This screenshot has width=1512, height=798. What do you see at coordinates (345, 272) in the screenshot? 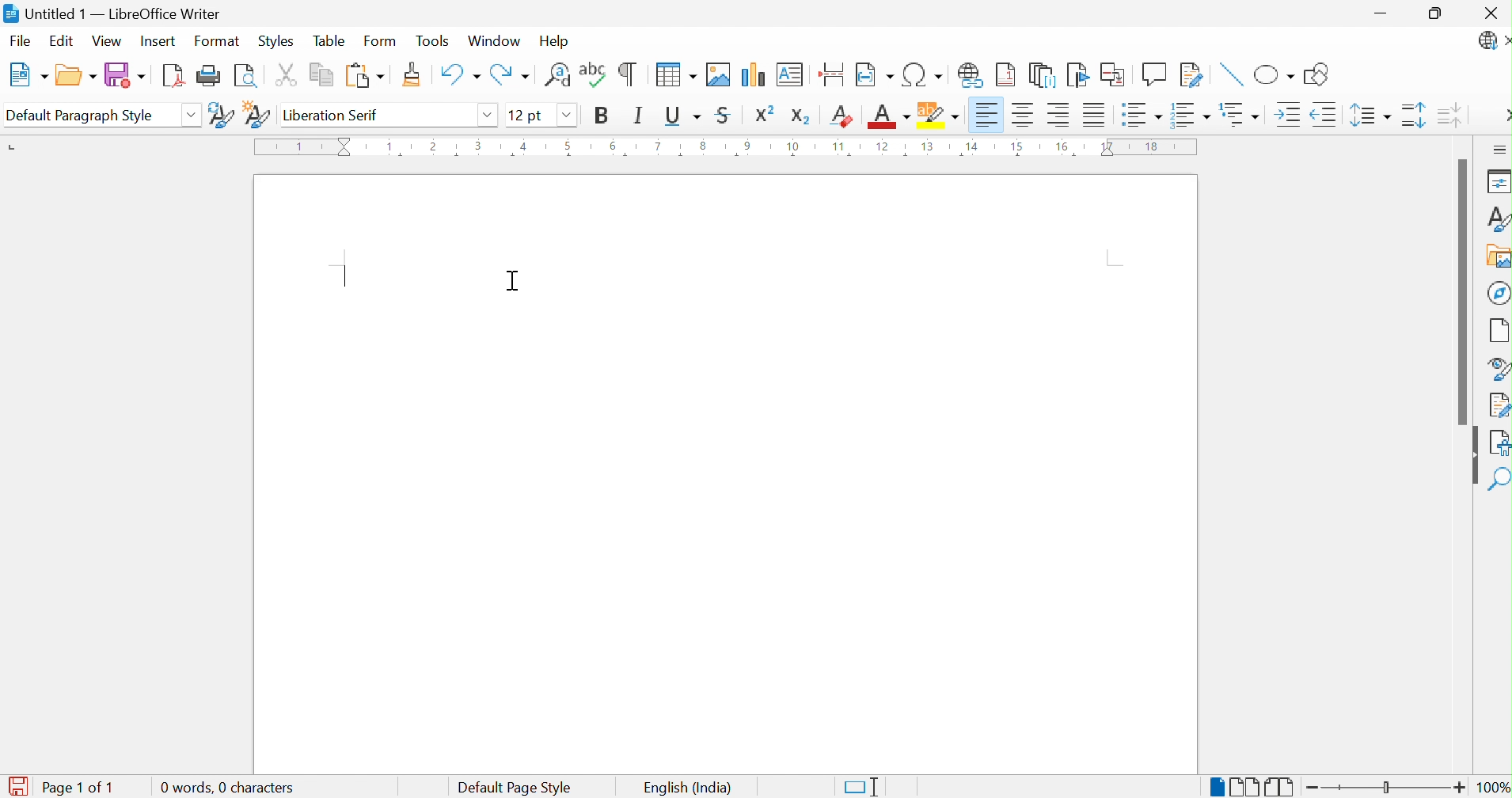
I see `text insertion point` at bounding box center [345, 272].